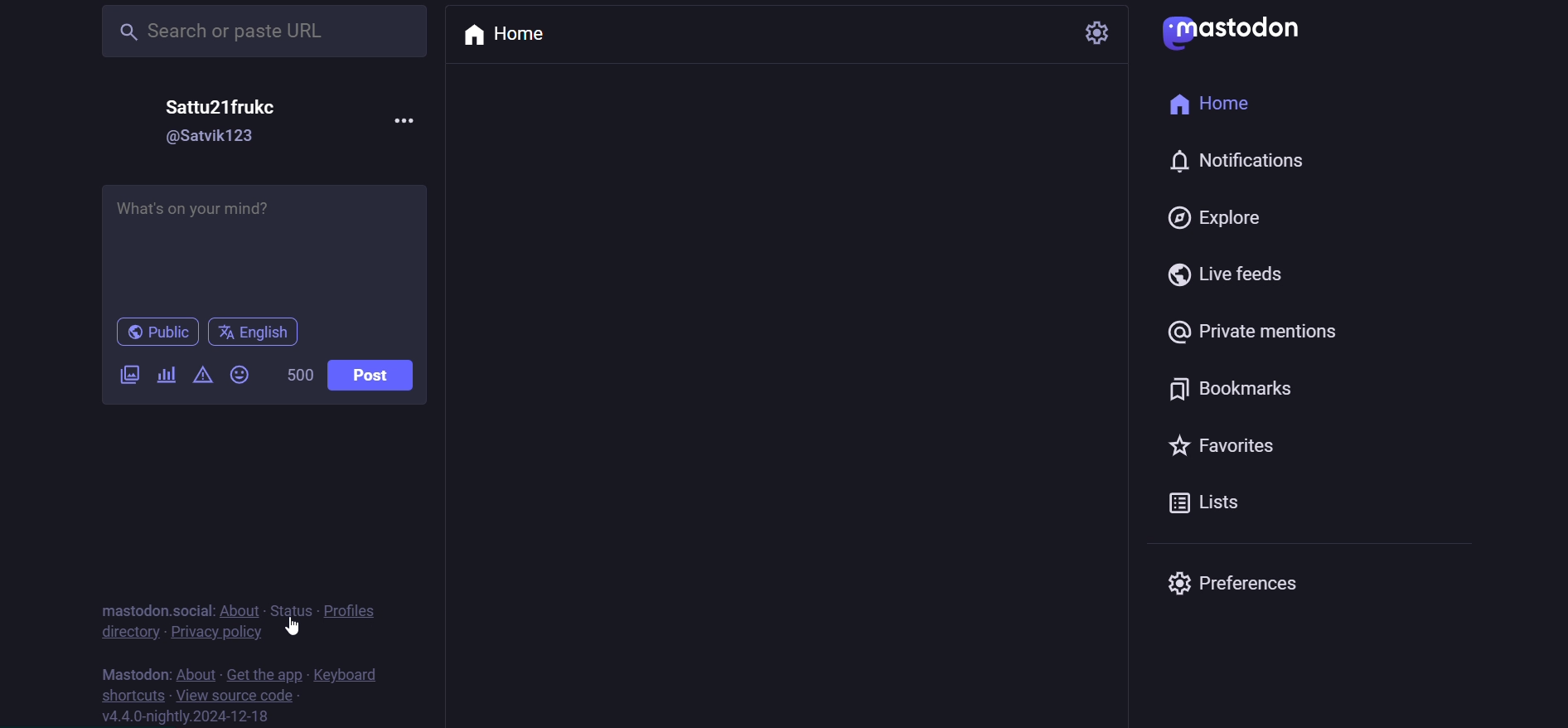  I want to click on shortcut, so click(125, 695).